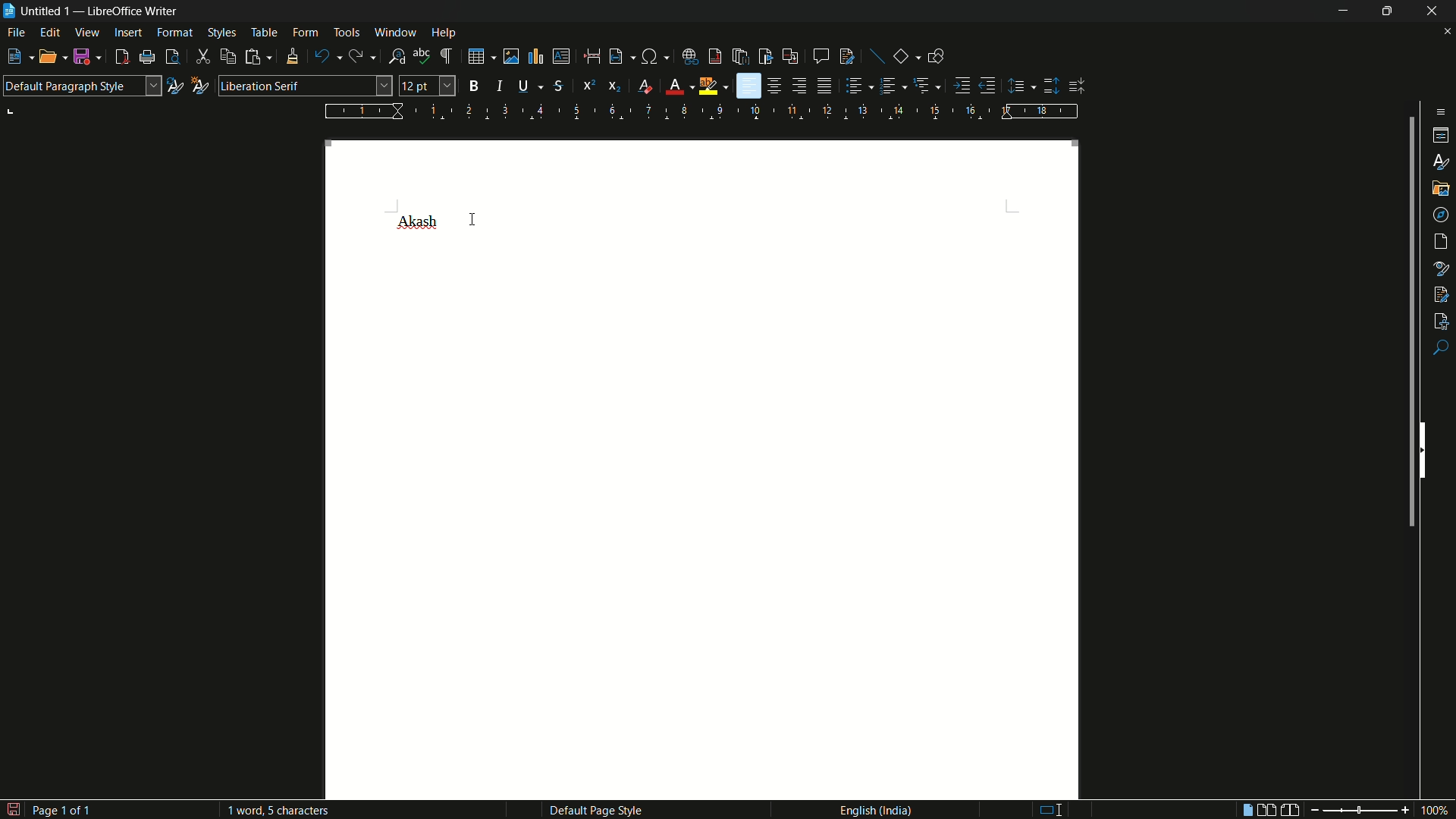  I want to click on show draw functions, so click(936, 55).